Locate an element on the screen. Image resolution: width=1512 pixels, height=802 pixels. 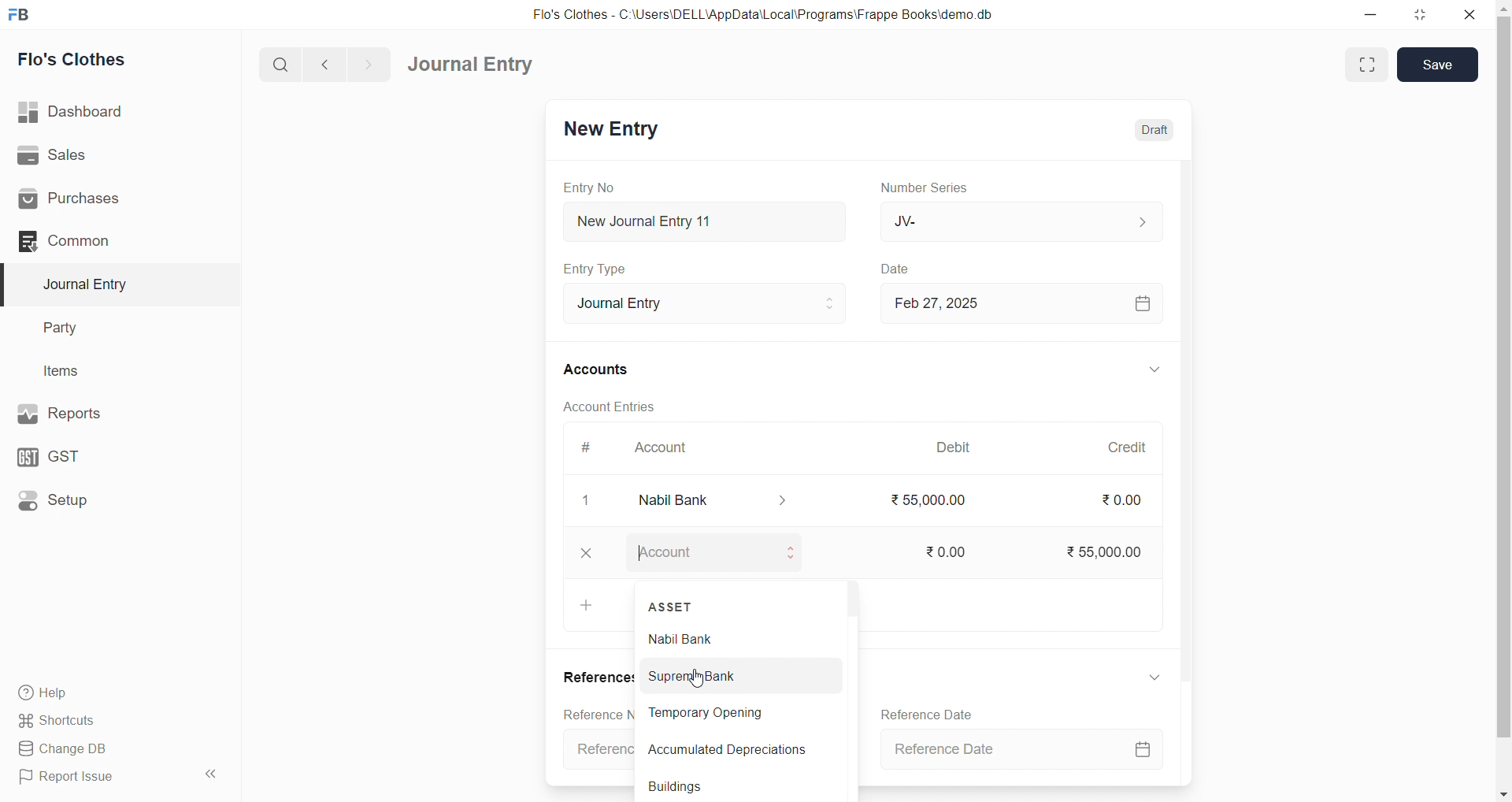
Reference Number is located at coordinates (600, 712).